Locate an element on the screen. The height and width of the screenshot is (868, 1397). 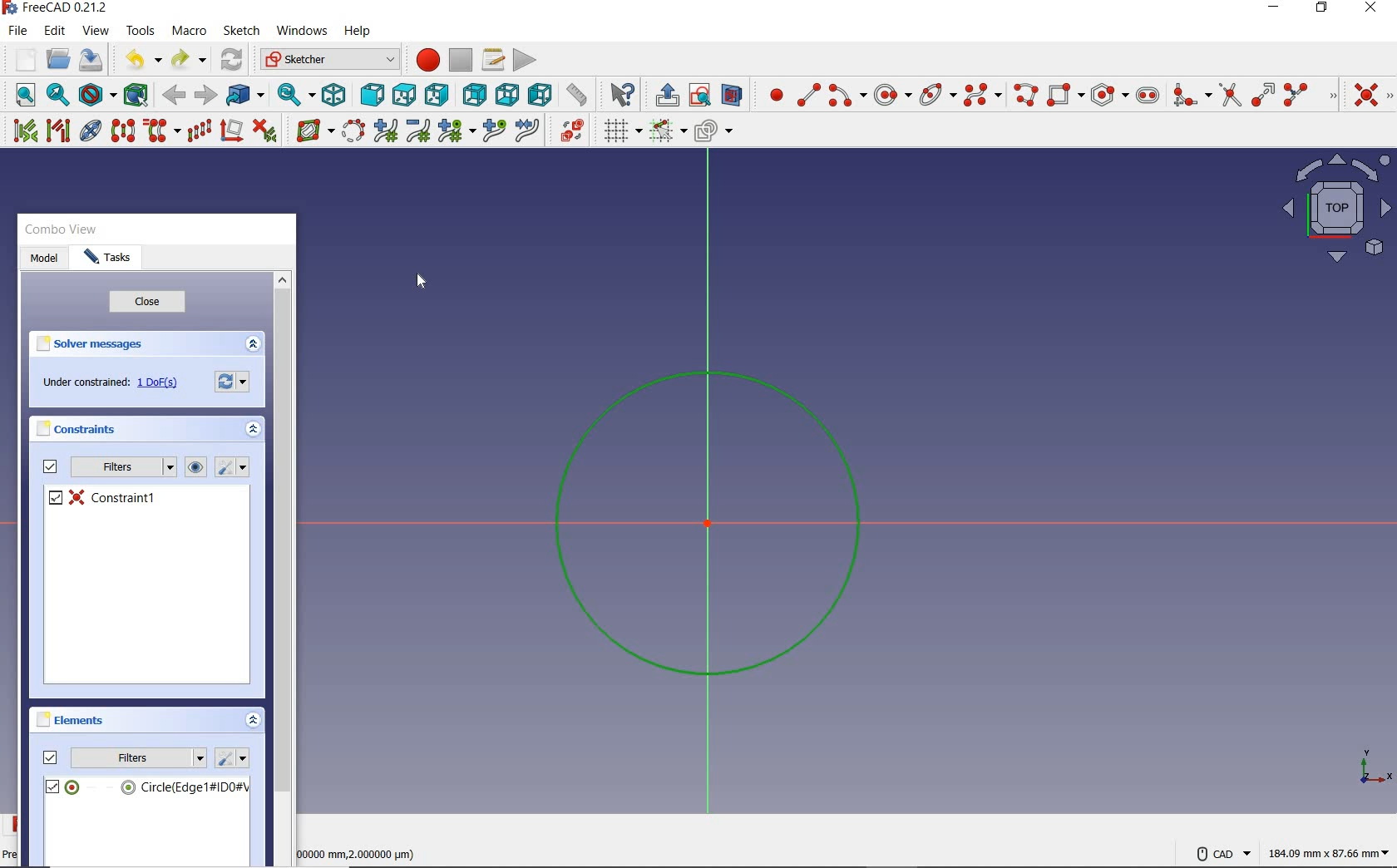
redo is located at coordinates (188, 60).